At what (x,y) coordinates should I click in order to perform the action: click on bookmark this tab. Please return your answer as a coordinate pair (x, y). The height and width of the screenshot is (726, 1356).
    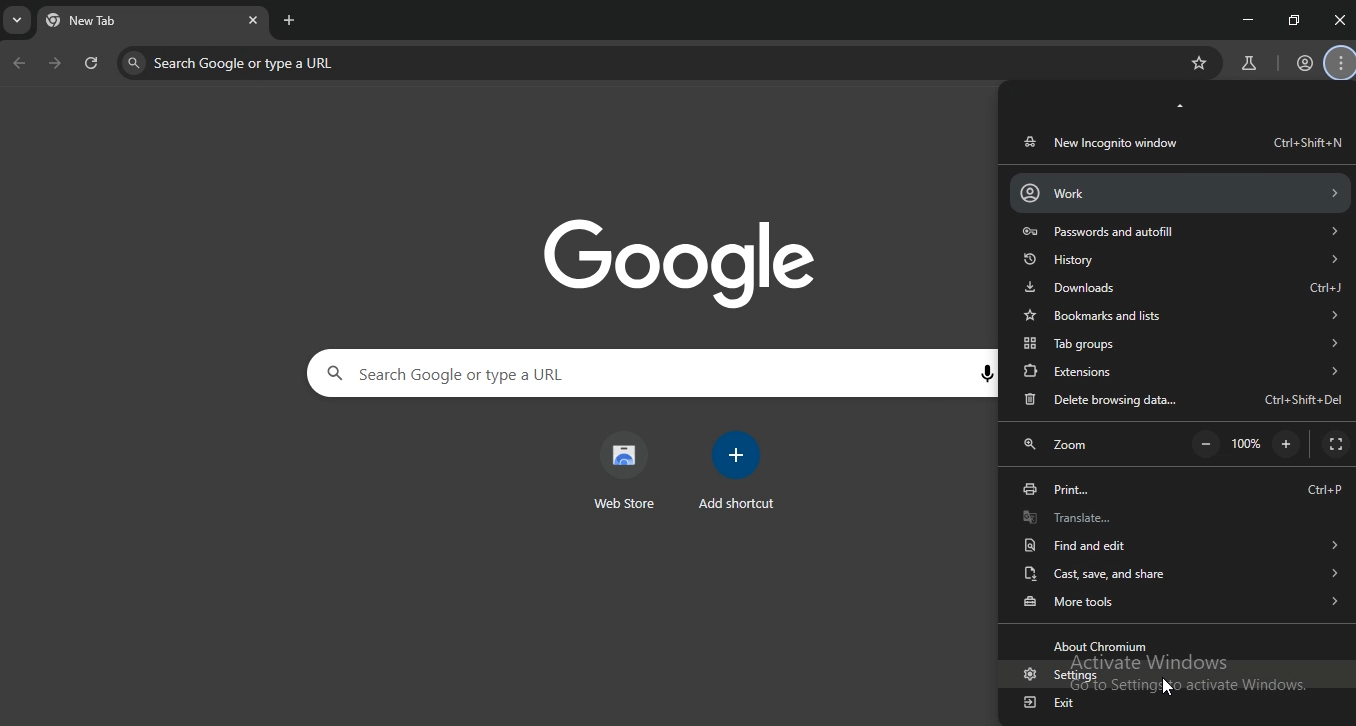
    Looking at the image, I should click on (1202, 63).